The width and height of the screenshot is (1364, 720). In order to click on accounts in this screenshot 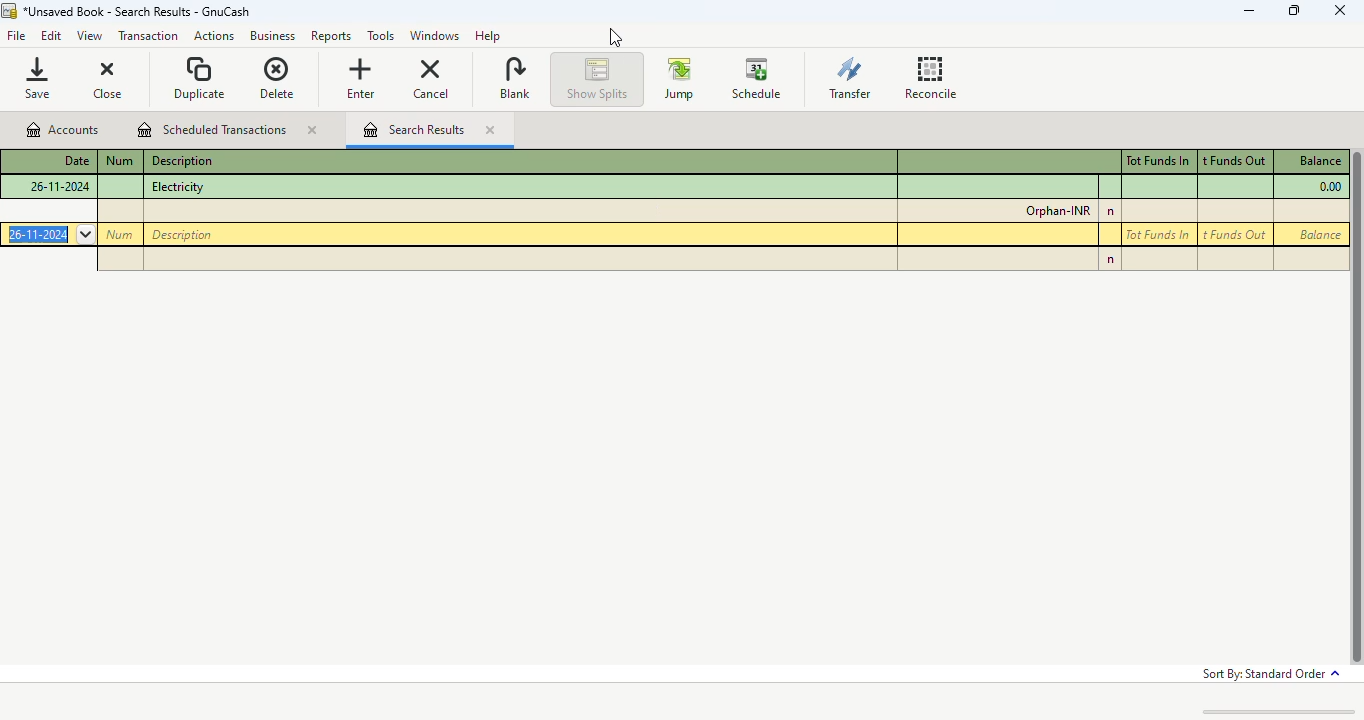, I will do `click(64, 130)`.